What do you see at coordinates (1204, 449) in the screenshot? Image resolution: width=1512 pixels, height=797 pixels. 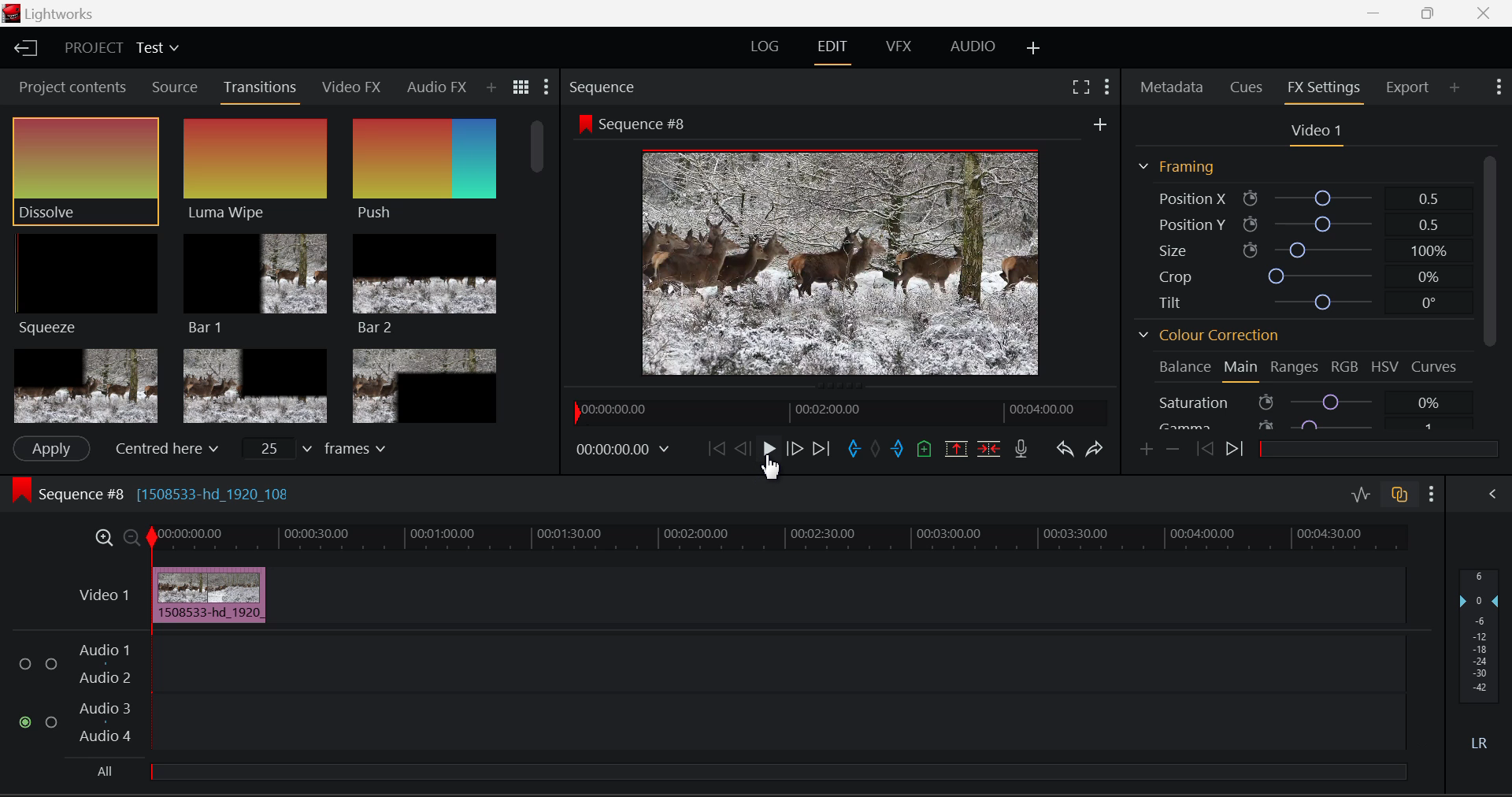 I see `Previous keyframe` at bounding box center [1204, 449].